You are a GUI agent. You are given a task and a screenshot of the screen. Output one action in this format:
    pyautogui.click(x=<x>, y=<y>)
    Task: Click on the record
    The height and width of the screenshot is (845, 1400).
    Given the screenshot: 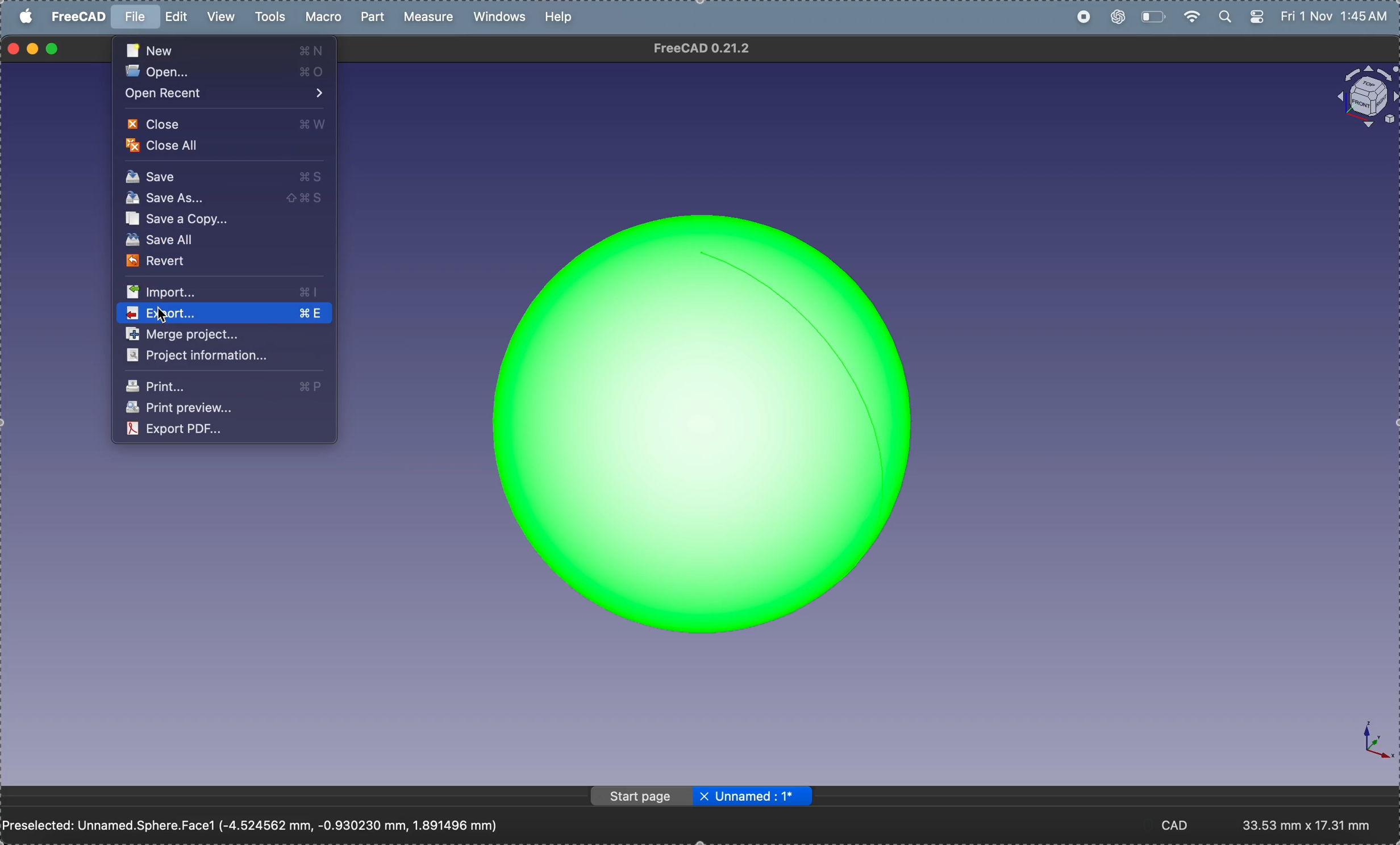 What is the action you would take?
    pyautogui.click(x=1085, y=18)
    